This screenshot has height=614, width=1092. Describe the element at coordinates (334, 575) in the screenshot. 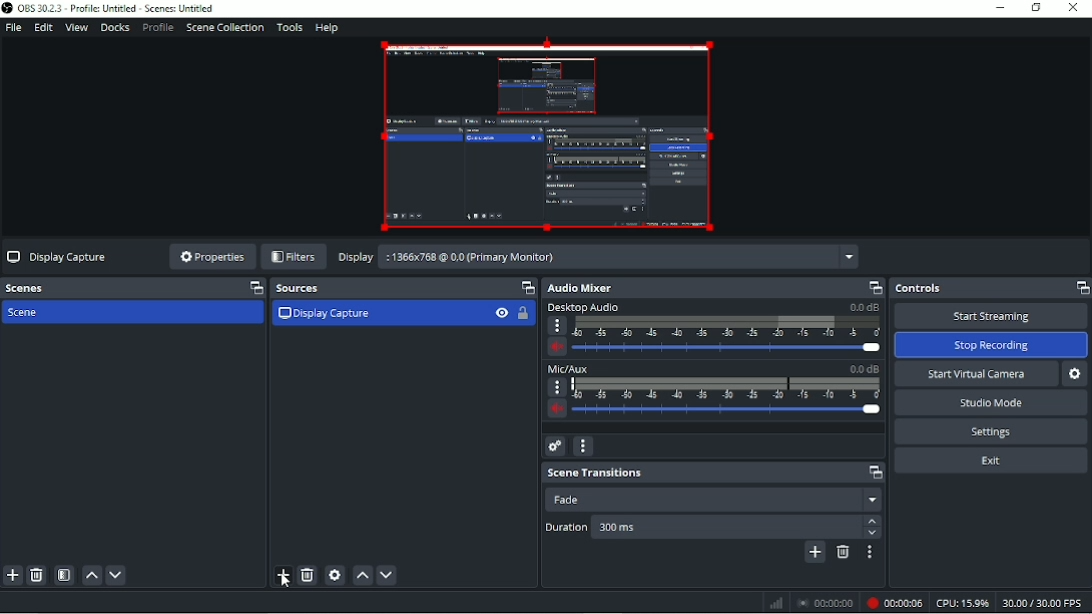

I see `Open source properties` at that location.